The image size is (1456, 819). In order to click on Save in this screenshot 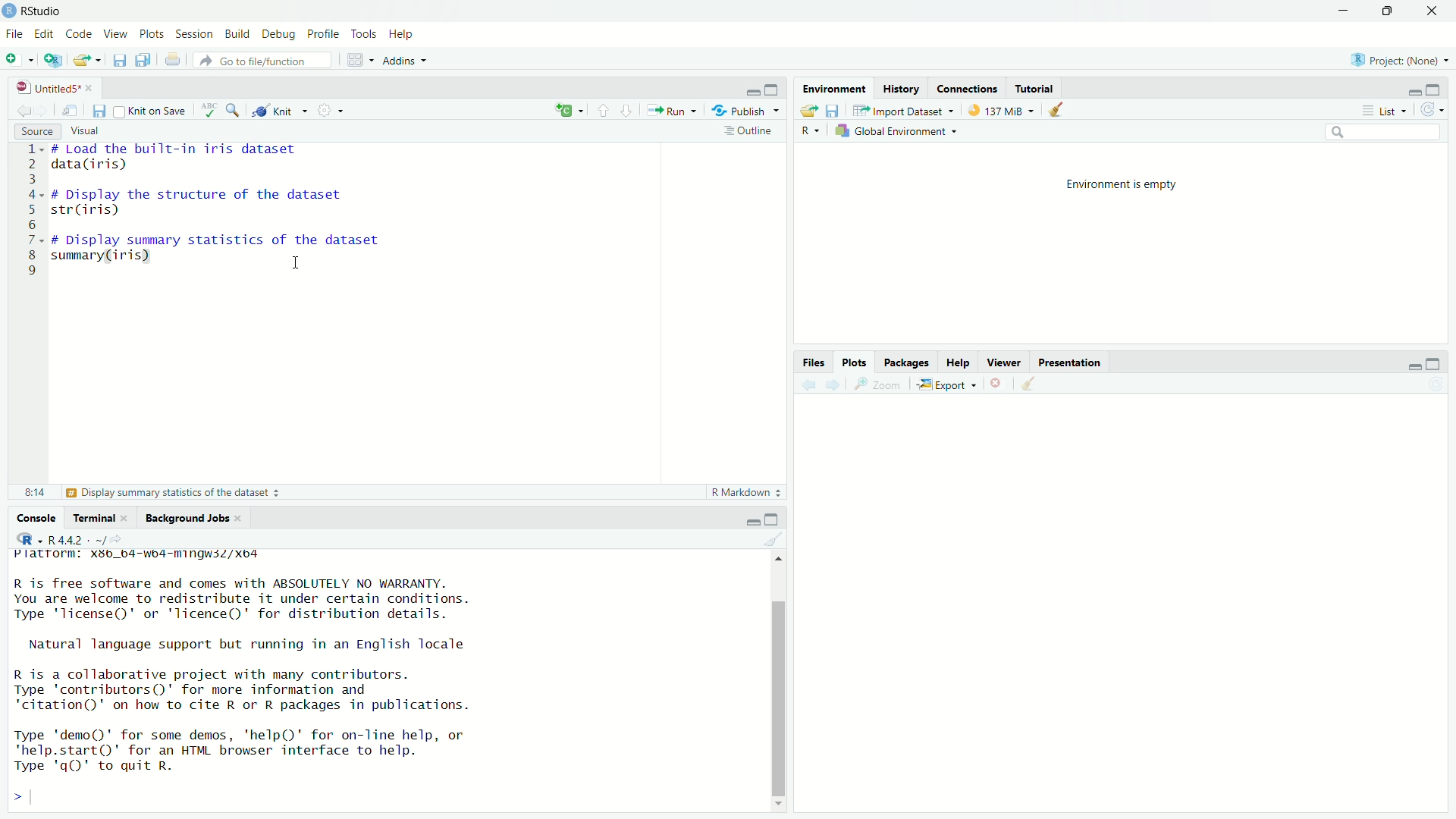, I will do `click(836, 109)`.